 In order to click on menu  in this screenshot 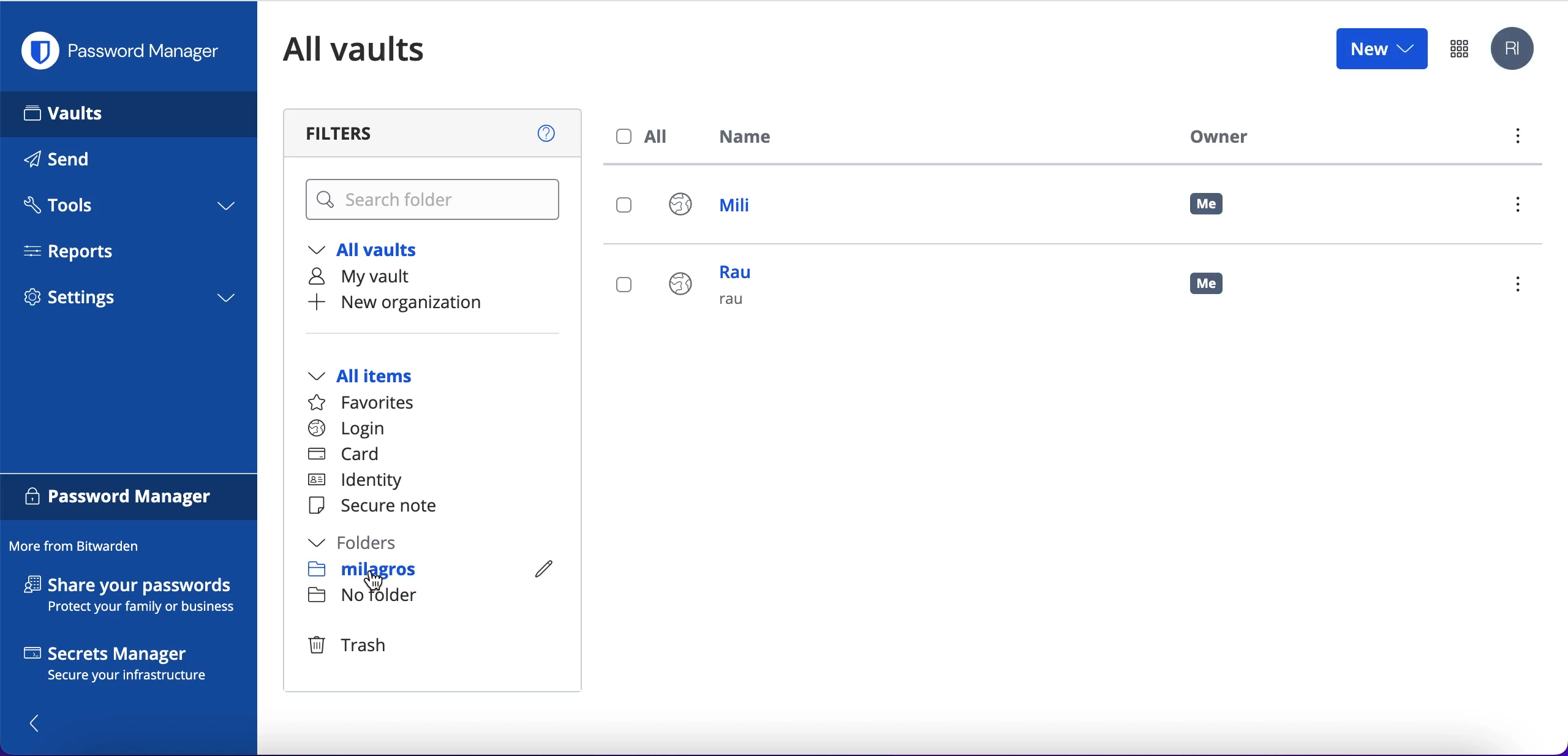, I will do `click(1523, 208)`.